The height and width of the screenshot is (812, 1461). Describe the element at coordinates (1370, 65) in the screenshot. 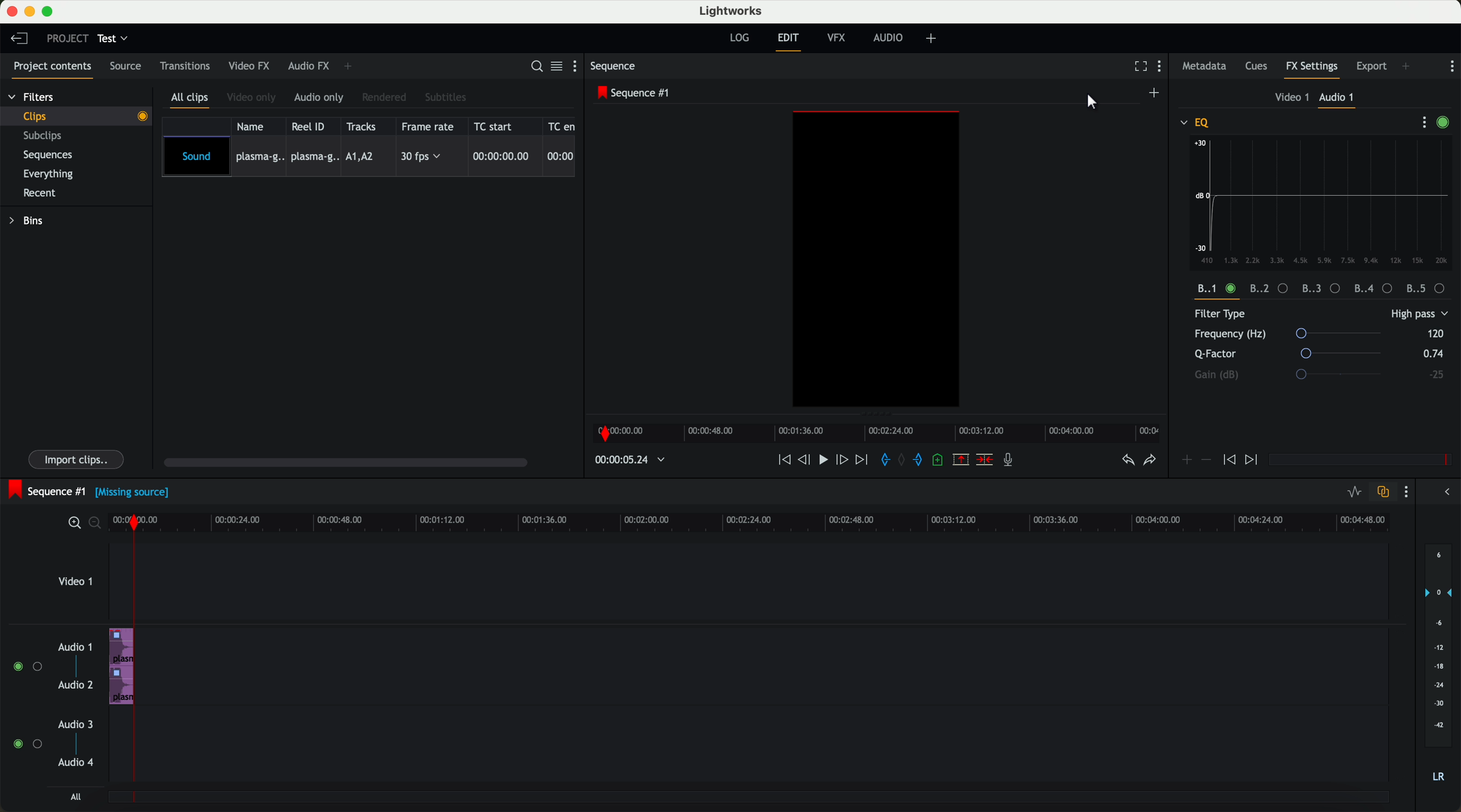

I see `export` at that location.